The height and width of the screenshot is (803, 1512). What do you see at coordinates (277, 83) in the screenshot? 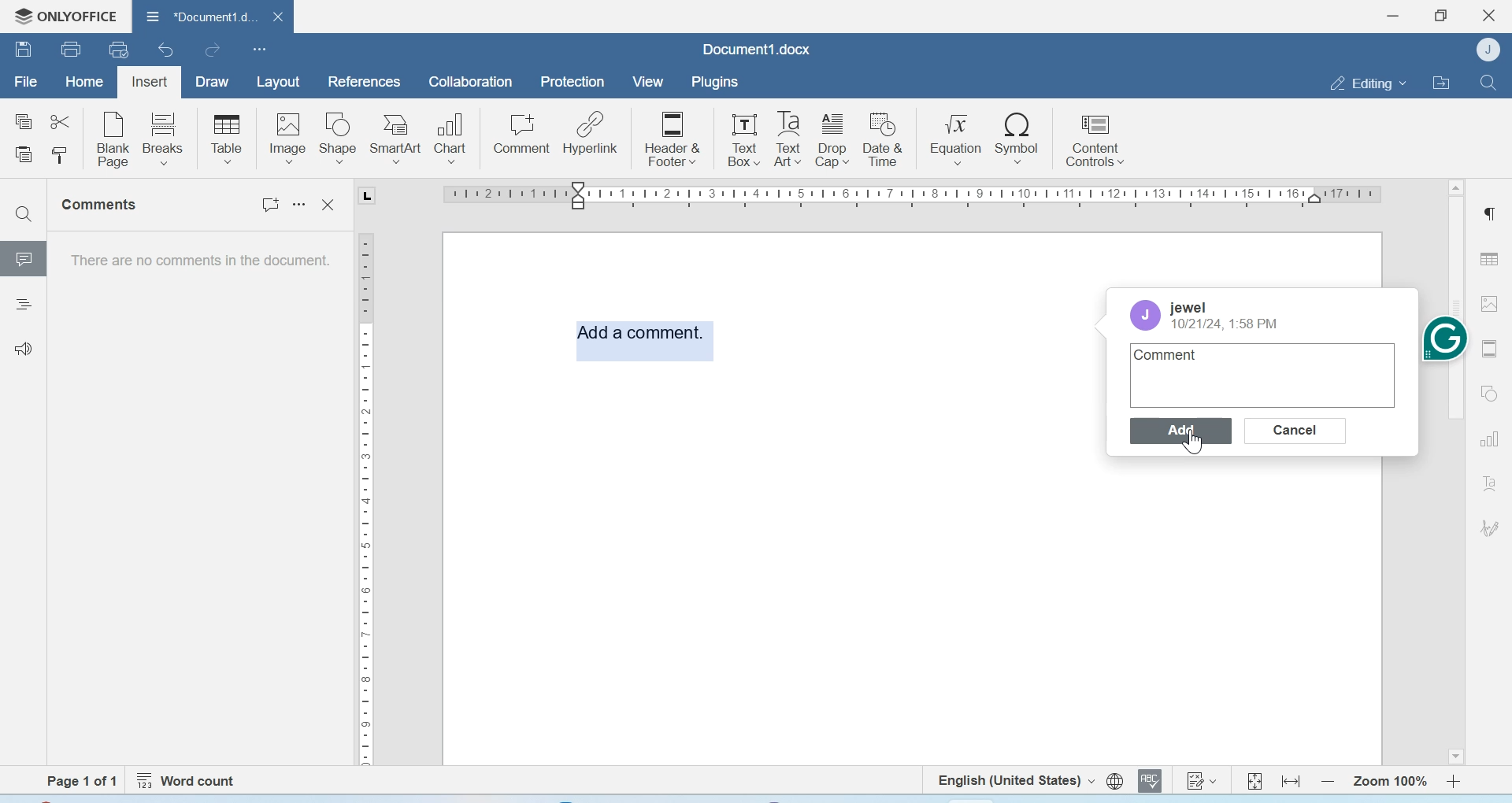
I see `Layout` at bounding box center [277, 83].